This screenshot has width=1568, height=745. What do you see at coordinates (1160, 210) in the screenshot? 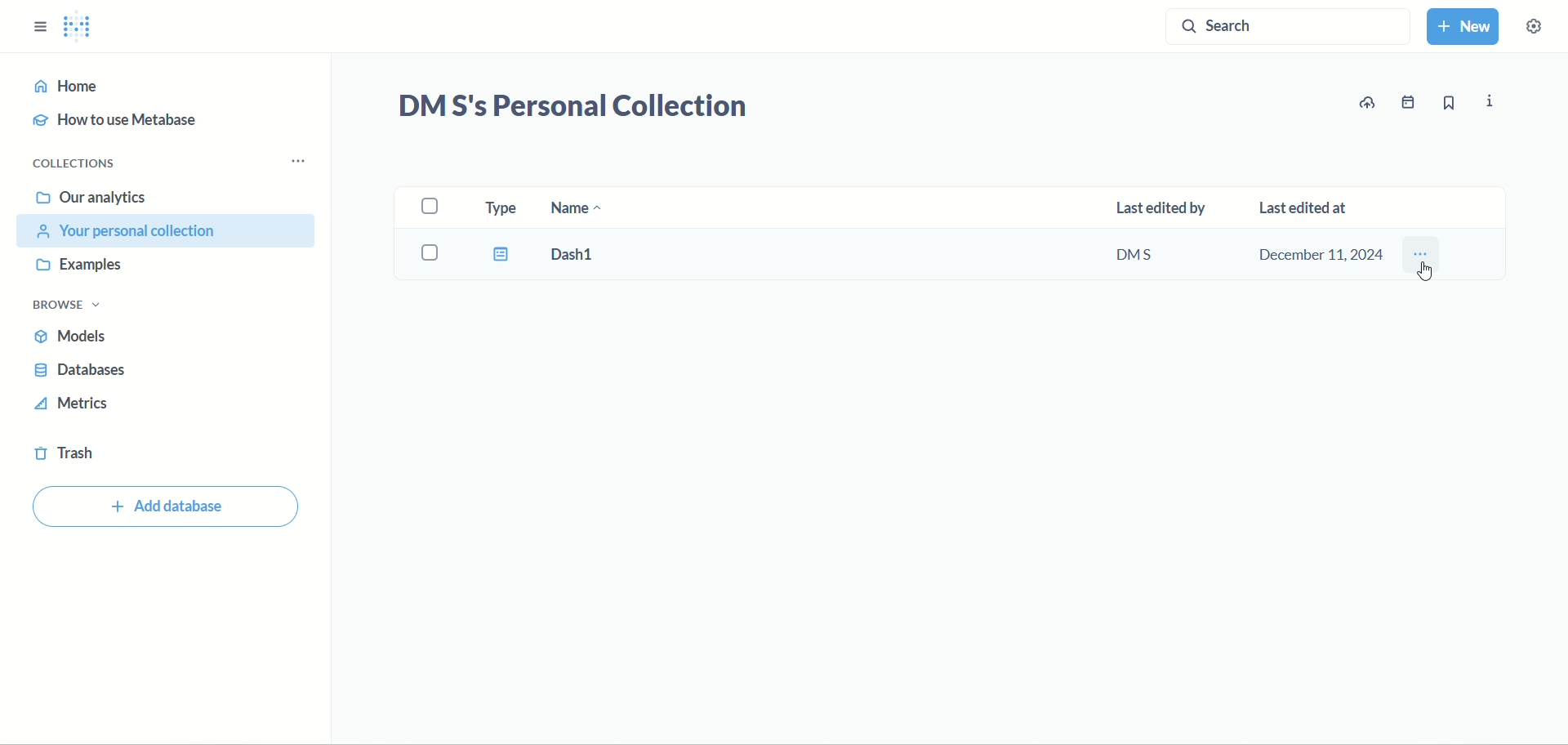
I see `last edited by` at bounding box center [1160, 210].